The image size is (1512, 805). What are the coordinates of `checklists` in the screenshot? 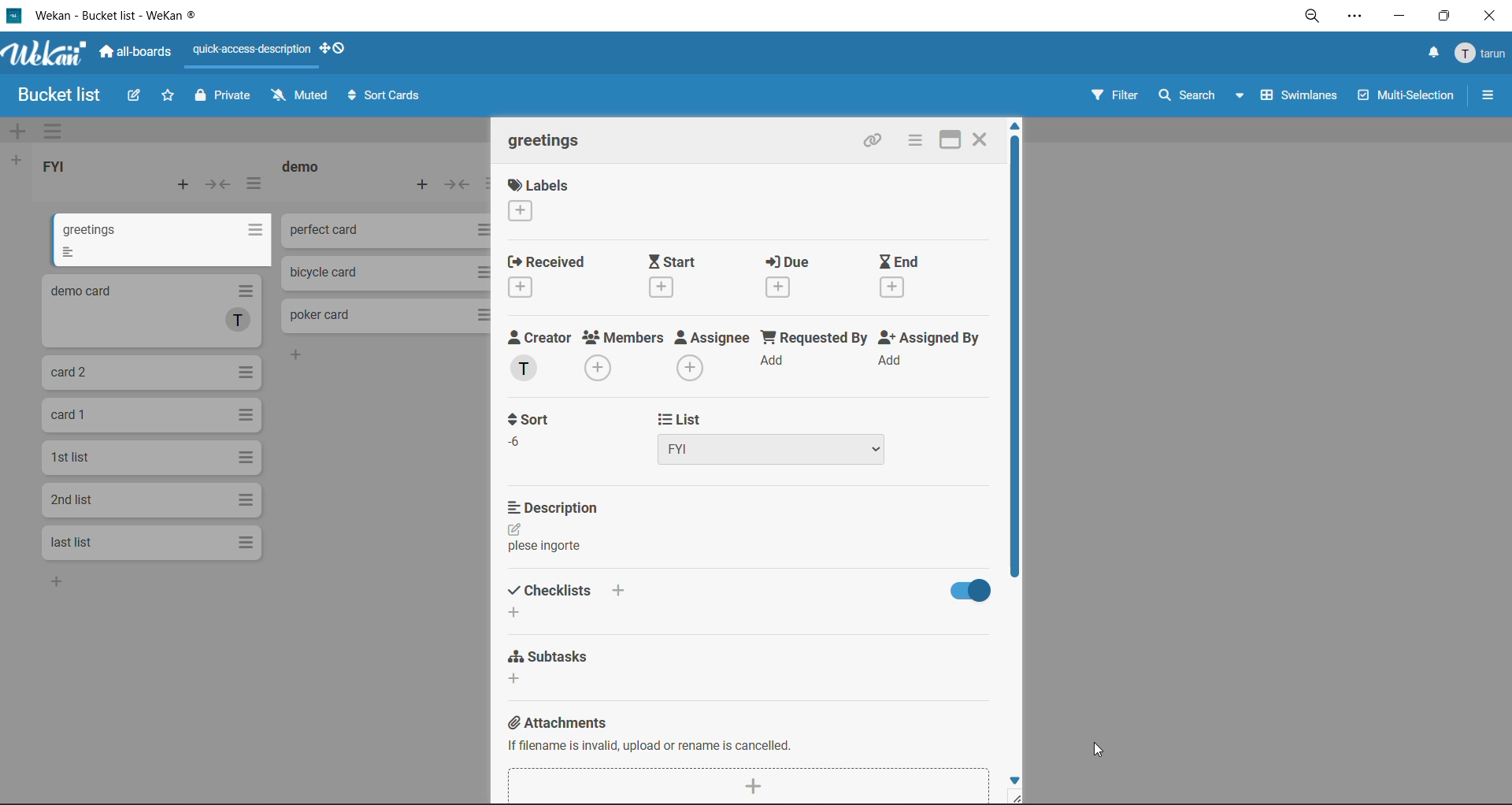 It's located at (545, 597).